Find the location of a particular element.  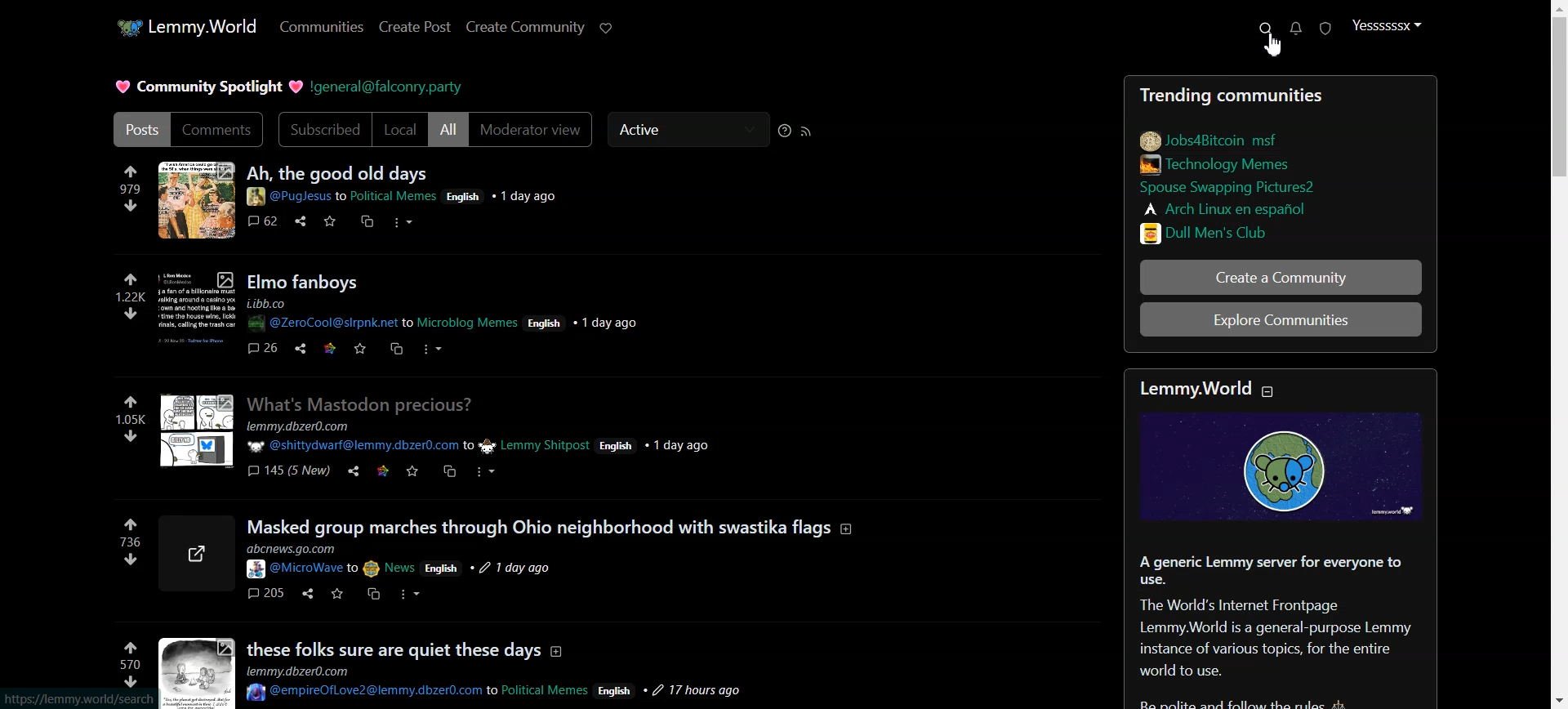

link is located at coordinates (1234, 140).